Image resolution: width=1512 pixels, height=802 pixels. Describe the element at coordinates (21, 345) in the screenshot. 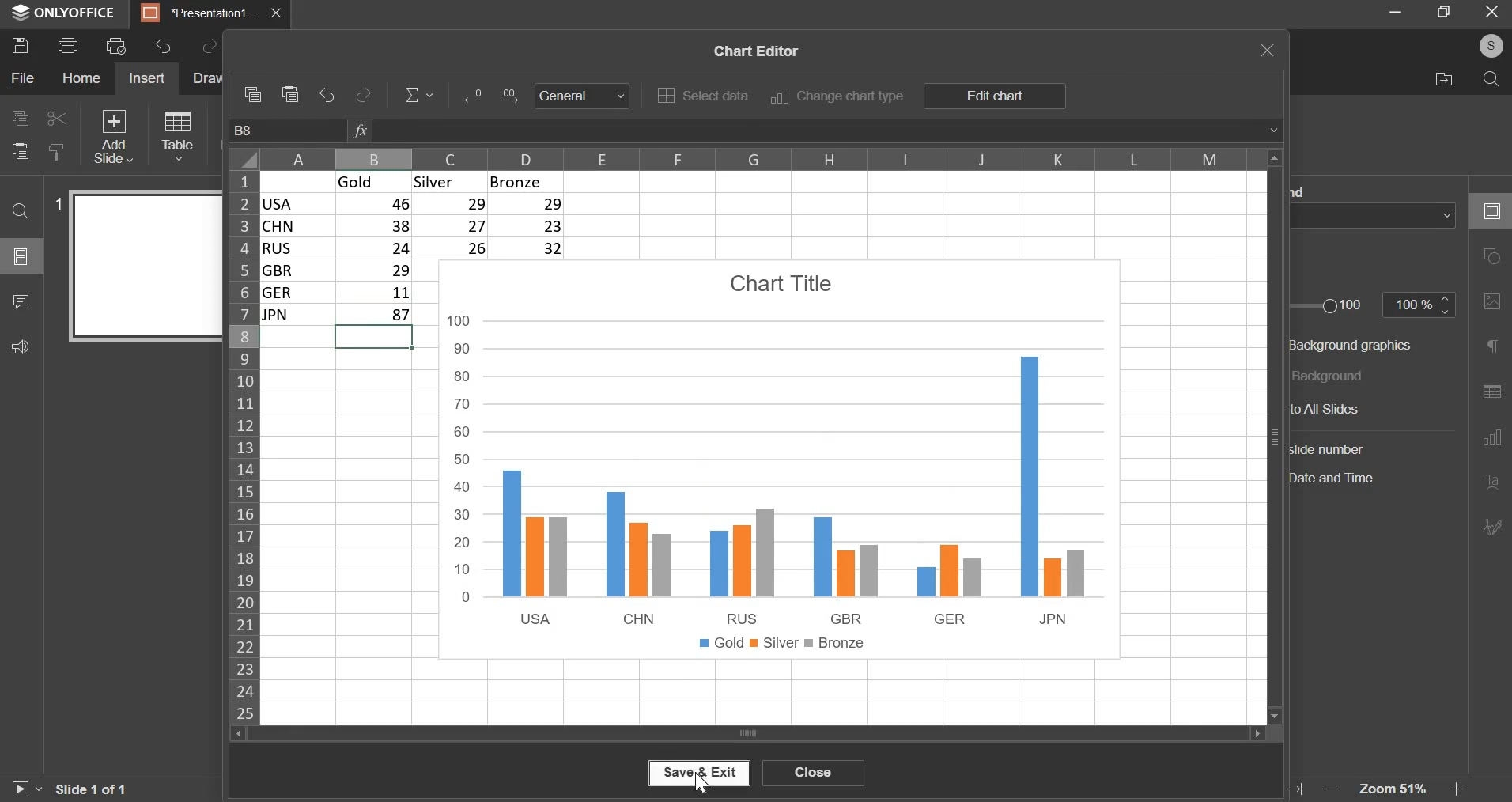

I see `feedback` at that location.